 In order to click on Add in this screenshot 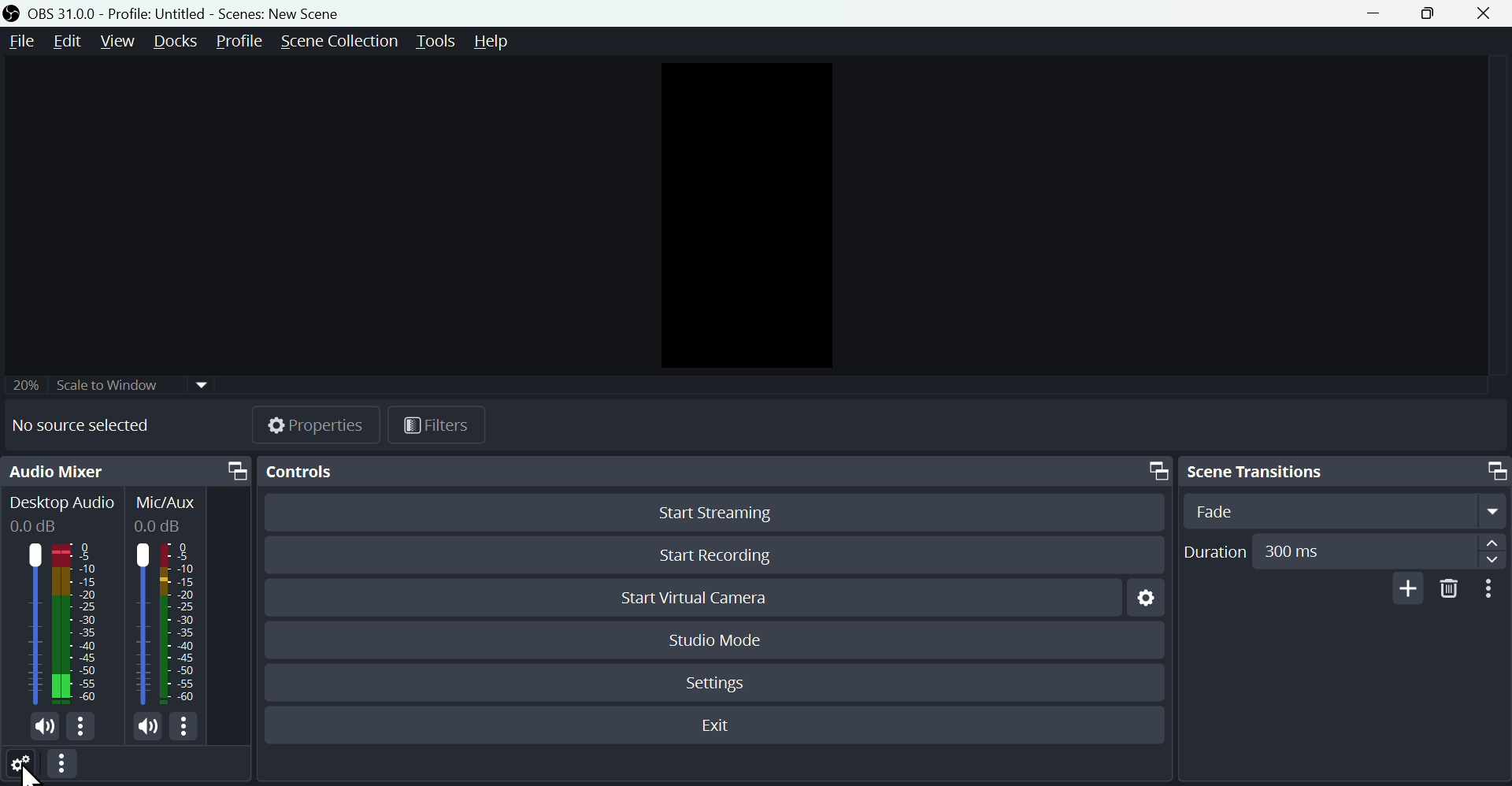, I will do `click(1410, 588)`.